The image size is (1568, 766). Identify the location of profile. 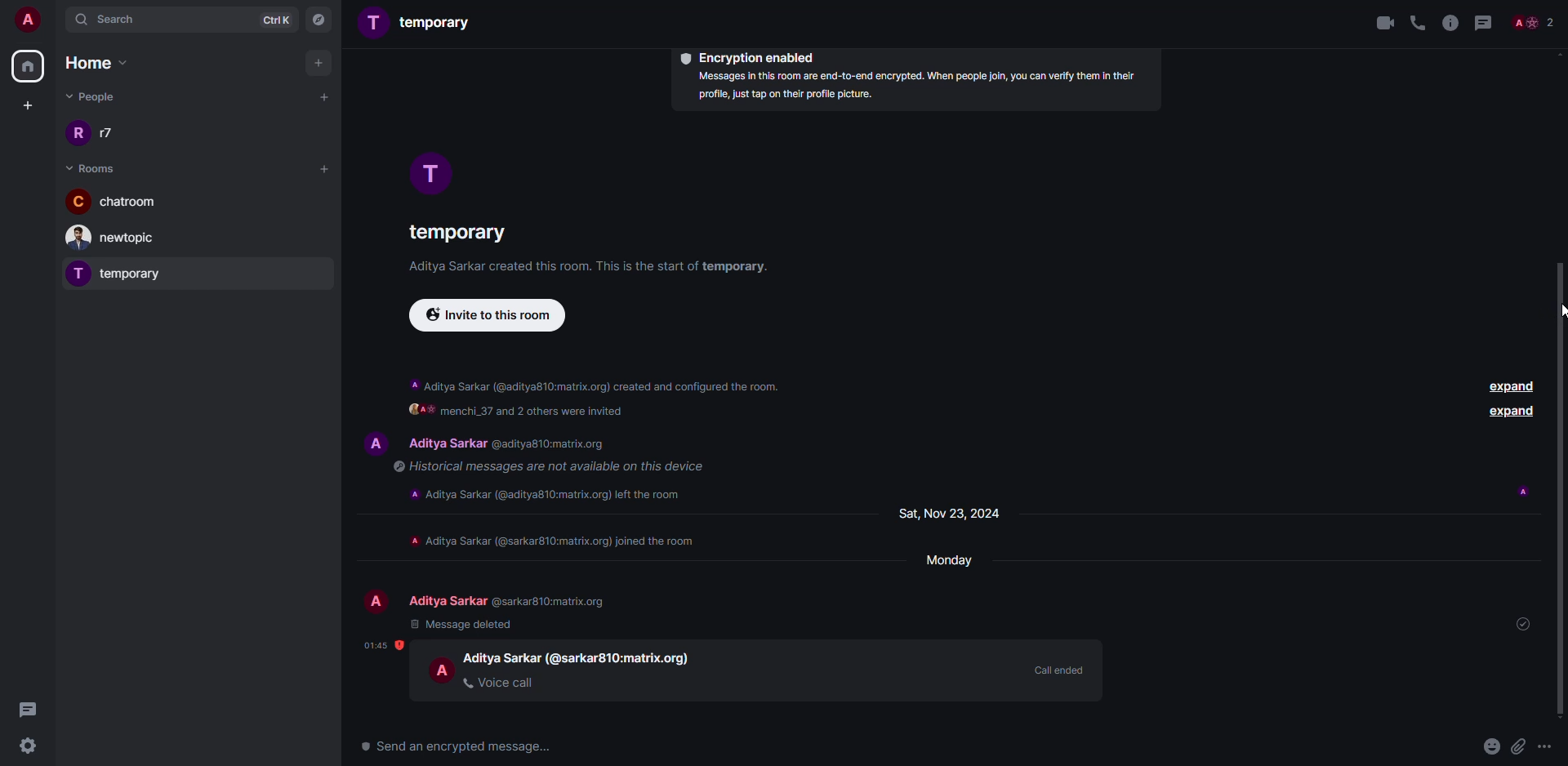
(379, 601).